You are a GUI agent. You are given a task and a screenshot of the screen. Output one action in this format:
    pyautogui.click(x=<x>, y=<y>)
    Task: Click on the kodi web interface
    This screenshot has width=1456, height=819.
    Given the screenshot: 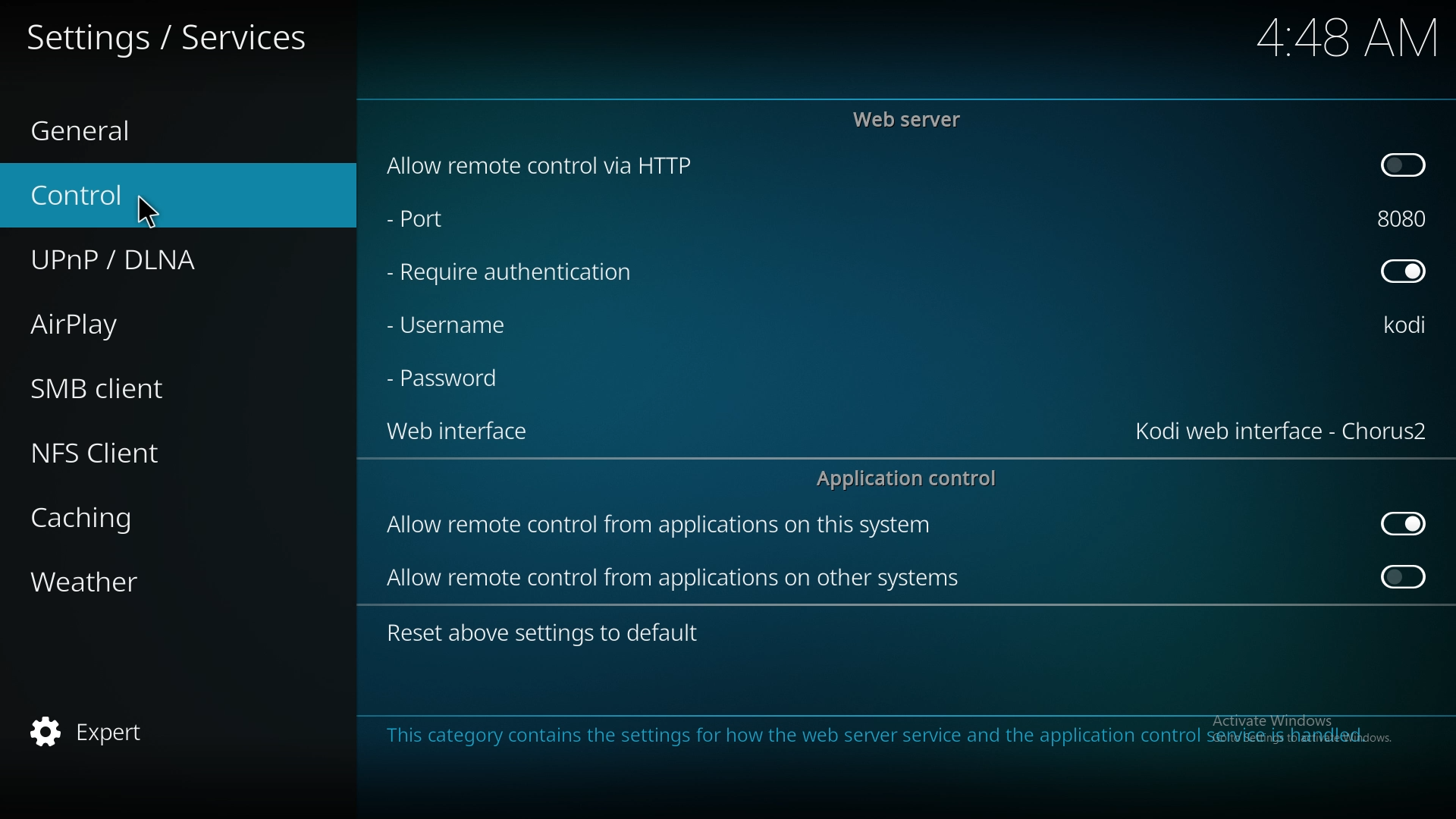 What is the action you would take?
    pyautogui.click(x=1281, y=431)
    